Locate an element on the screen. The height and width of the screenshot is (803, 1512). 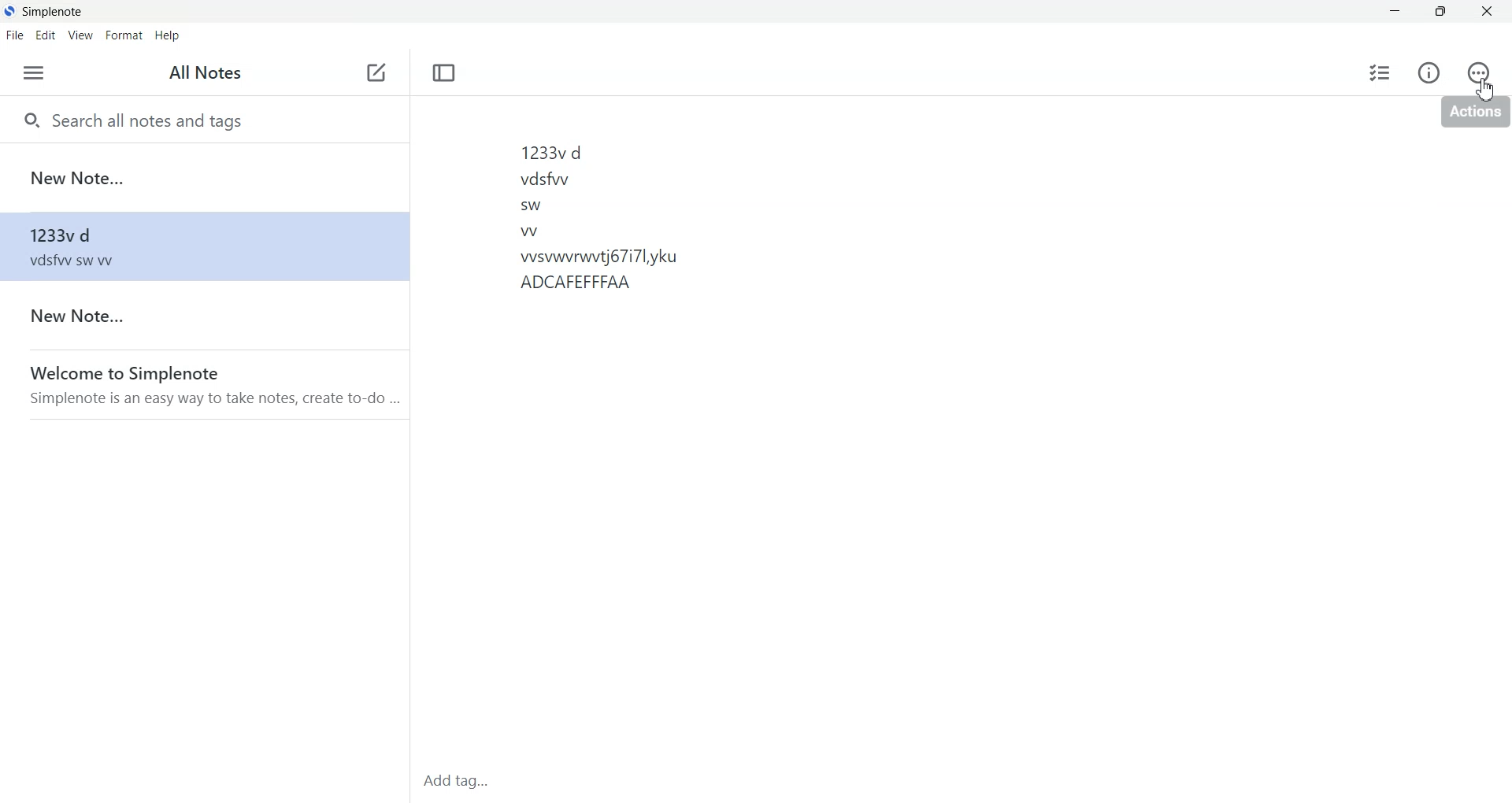
Format is located at coordinates (123, 35).